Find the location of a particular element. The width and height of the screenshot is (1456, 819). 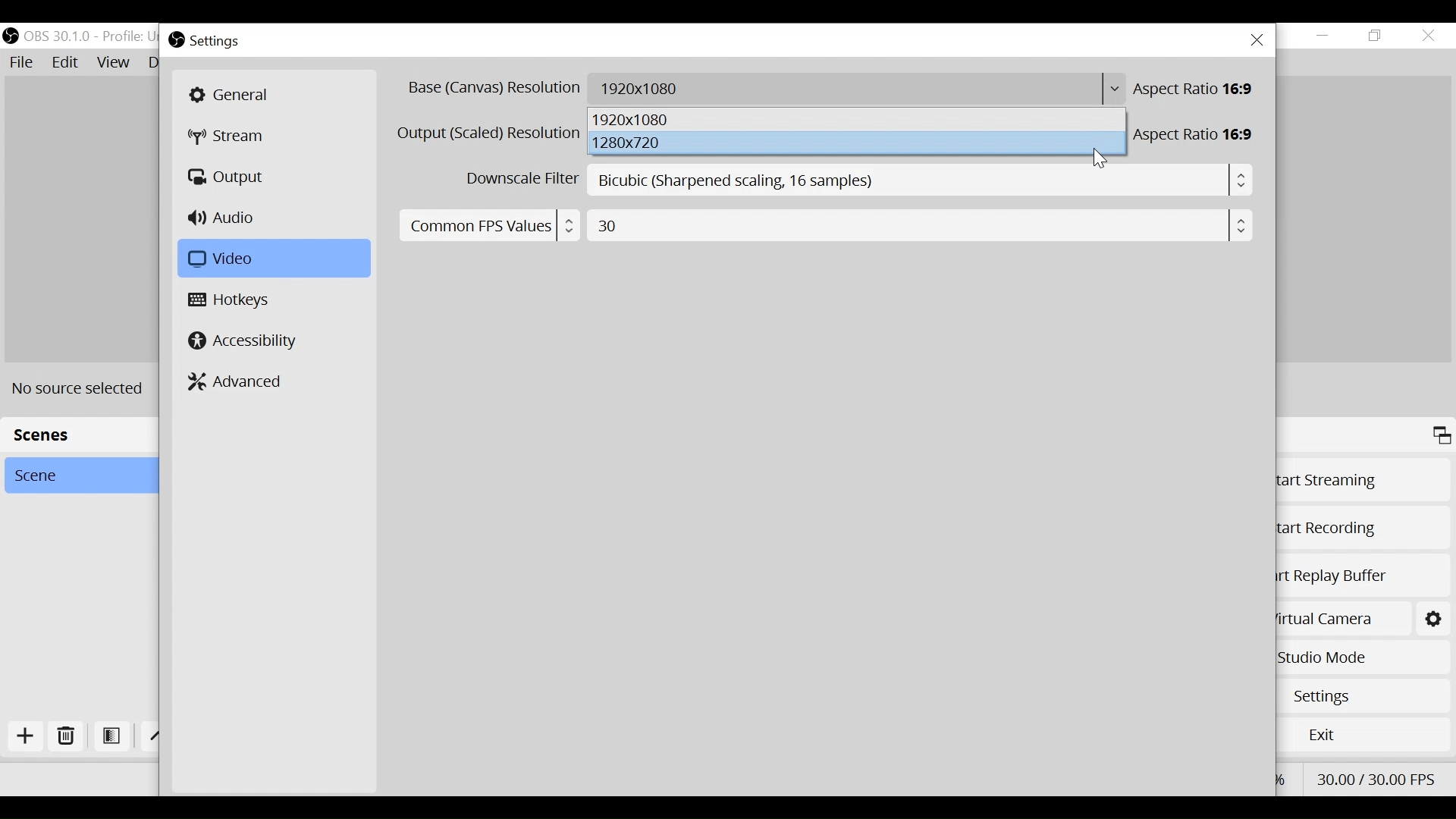

File is located at coordinates (24, 63).